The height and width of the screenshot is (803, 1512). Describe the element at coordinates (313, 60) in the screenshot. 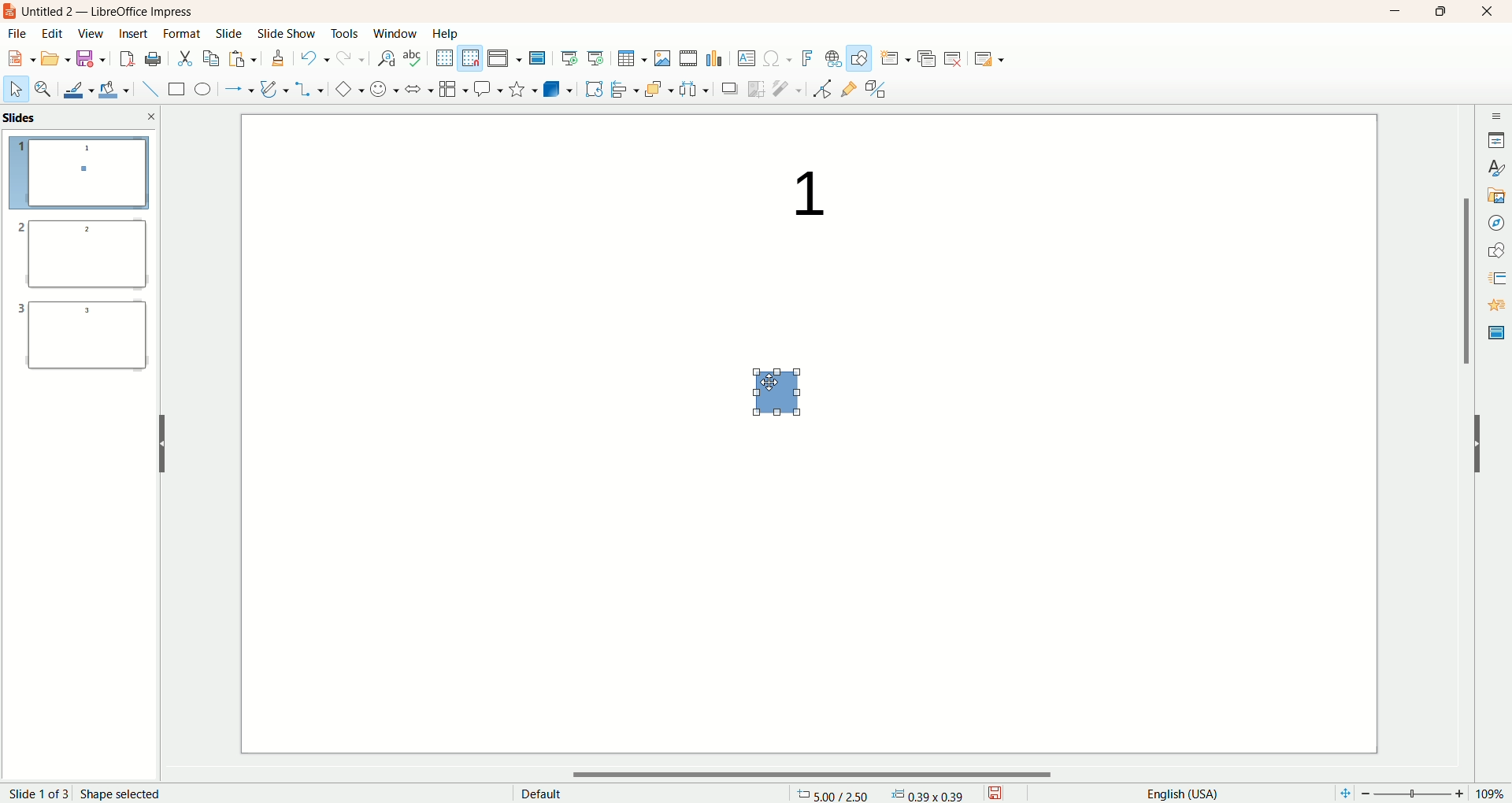

I see `undo` at that location.